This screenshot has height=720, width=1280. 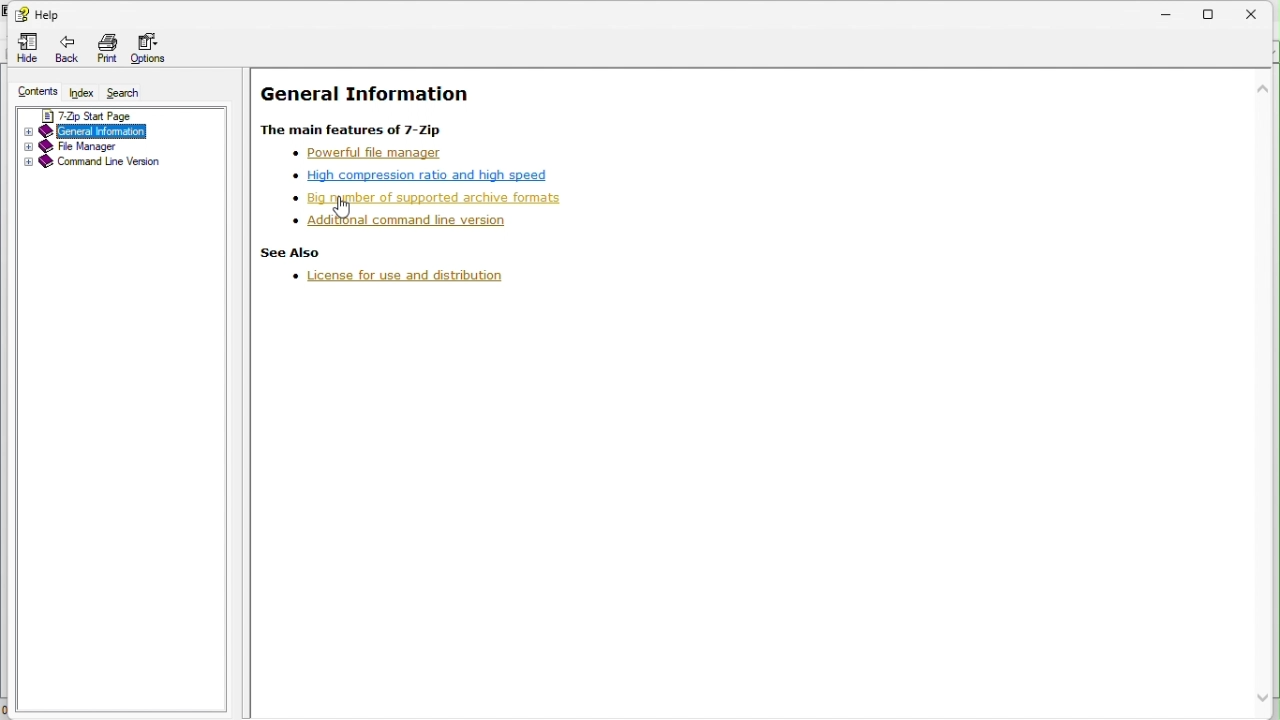 What do you see at coordinates (106, 50) in the screenshot?
I see `Print` at bounding box center [106, 50].